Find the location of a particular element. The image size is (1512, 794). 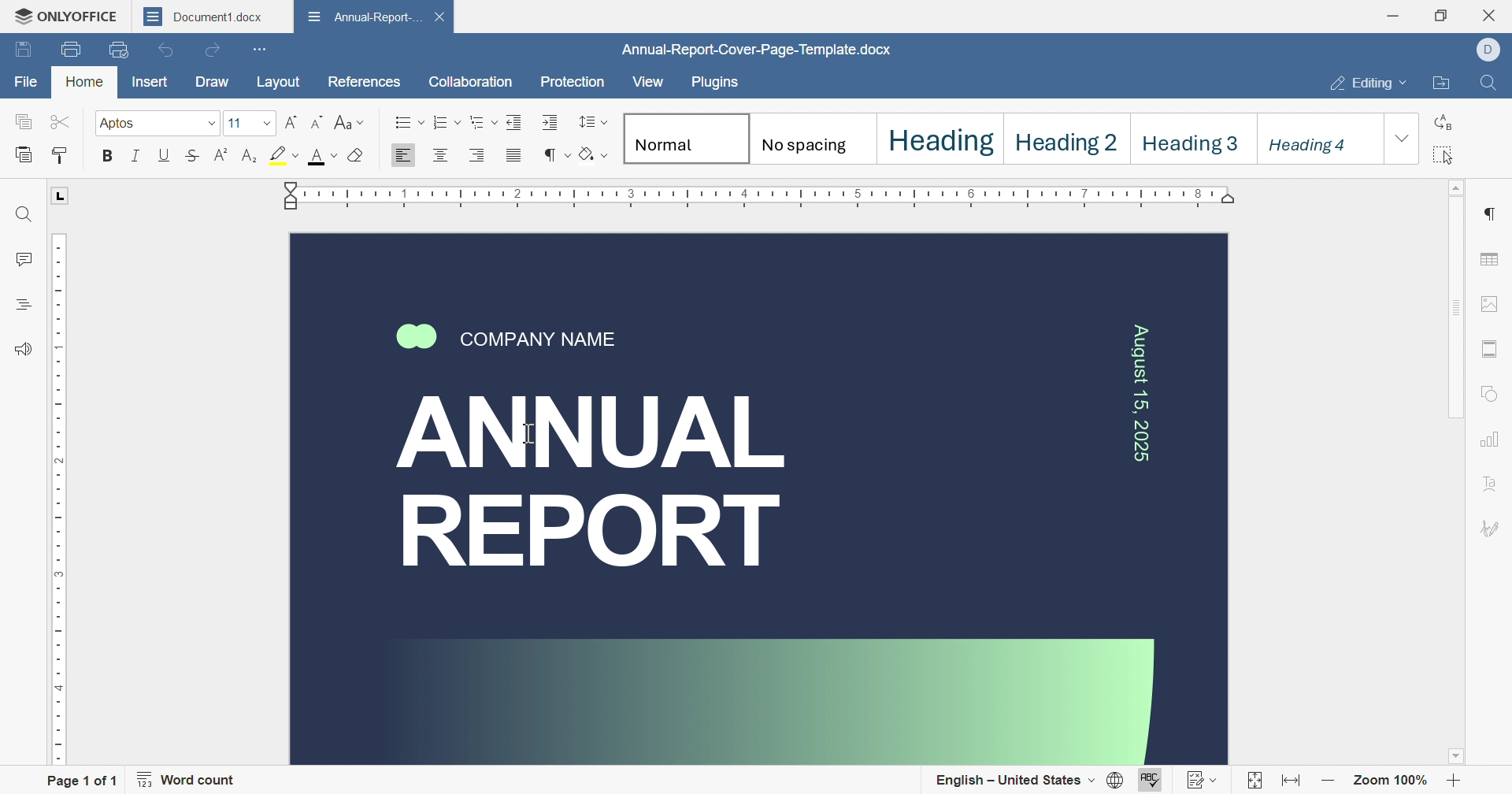

draw is located at coordinates (213, 82).